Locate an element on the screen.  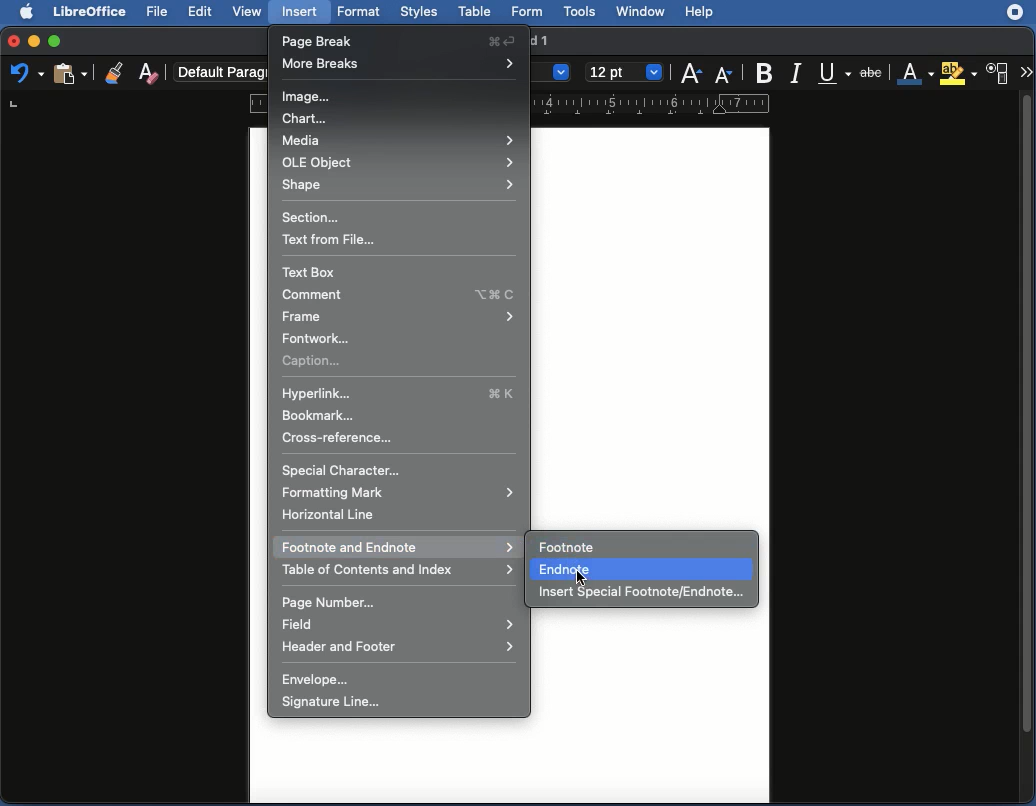
Header and footer is located at coordinates (398, 647).